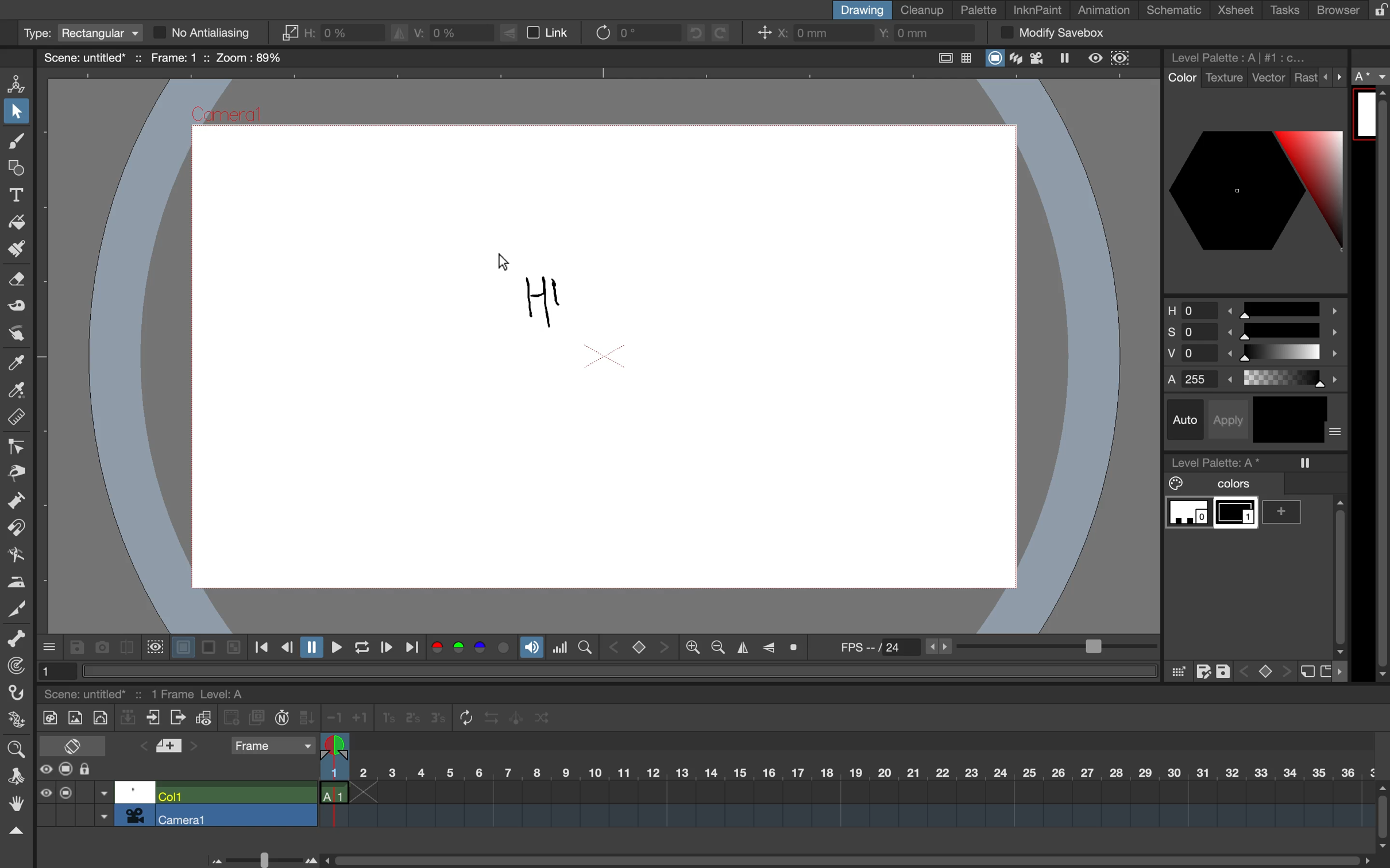 This screenshot has height=868, width=1390. Describe the element at coordinates (441, 32) in the screenshot. I see `vertical scaling` at that location.